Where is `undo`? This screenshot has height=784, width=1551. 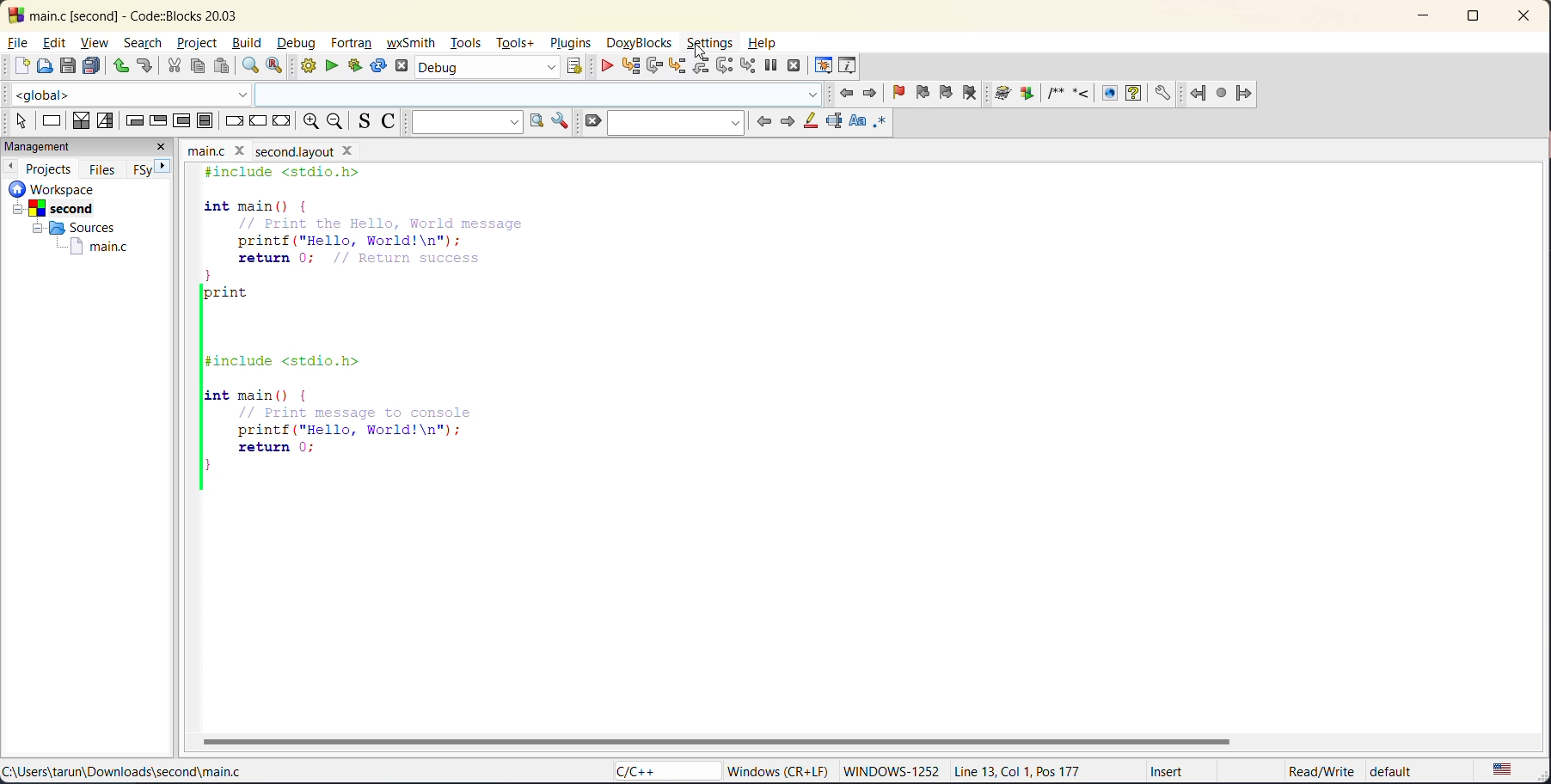
undo is located at coordinates (120, 65).